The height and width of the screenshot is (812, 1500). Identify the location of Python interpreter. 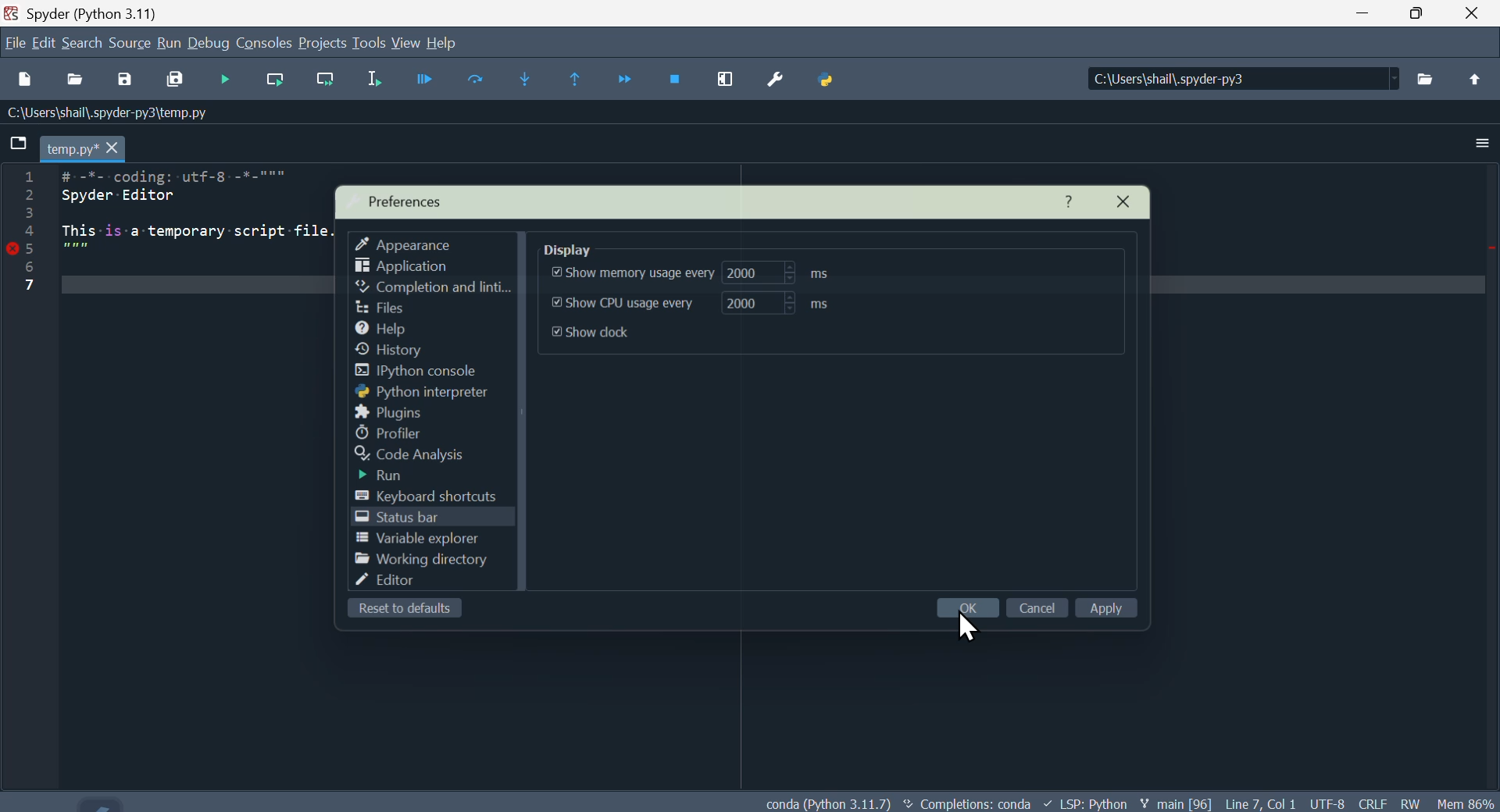
(422, 393).